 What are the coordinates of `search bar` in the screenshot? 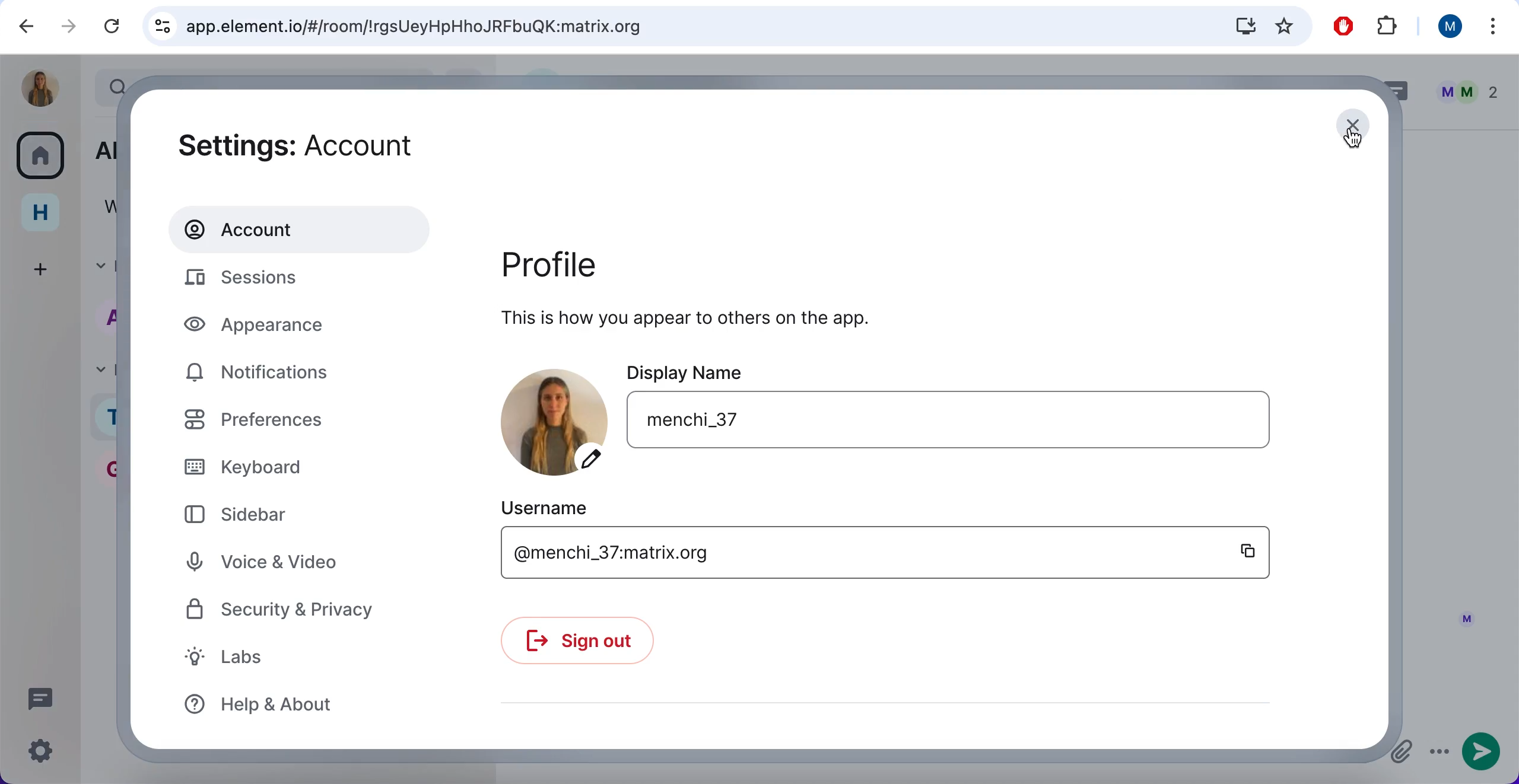 It's located at (724, 26).